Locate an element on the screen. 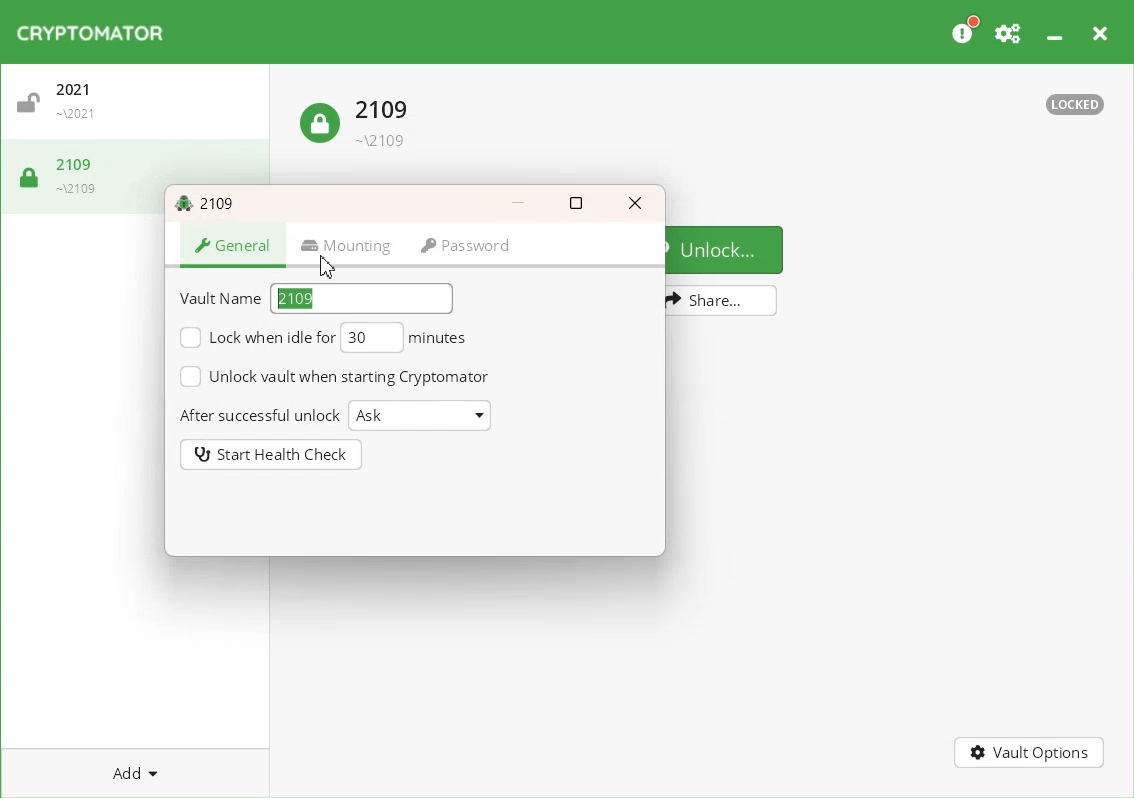 The width and height of the screenshot is (1134, 798). Lock Vault is located at coordinates (359, 117).